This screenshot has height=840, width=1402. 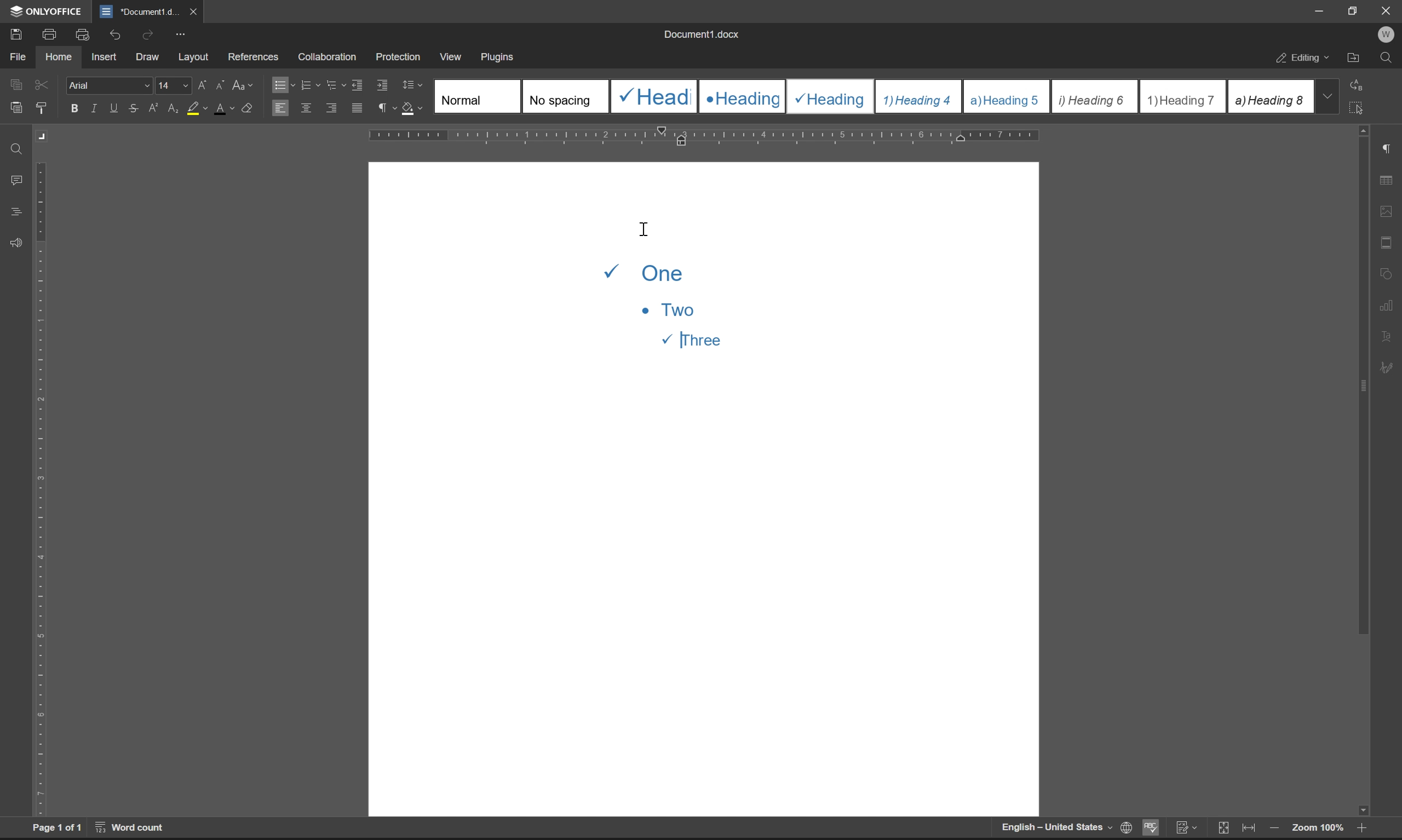 What do you see at coordinates (151, 58) in the screenshot?
I see `draw` at bounding box center [151, 58].